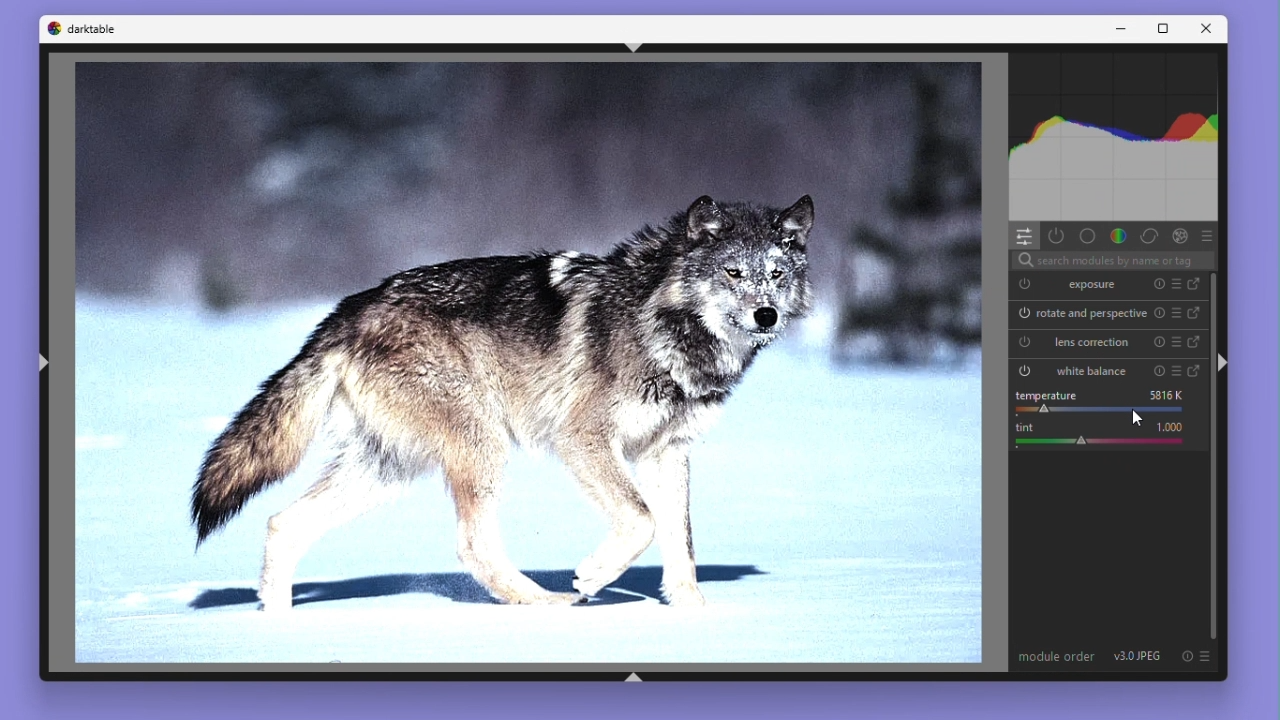 The height and width of the screenshot is (720, 1280). I want to click on Module order, so click(1057, 657).